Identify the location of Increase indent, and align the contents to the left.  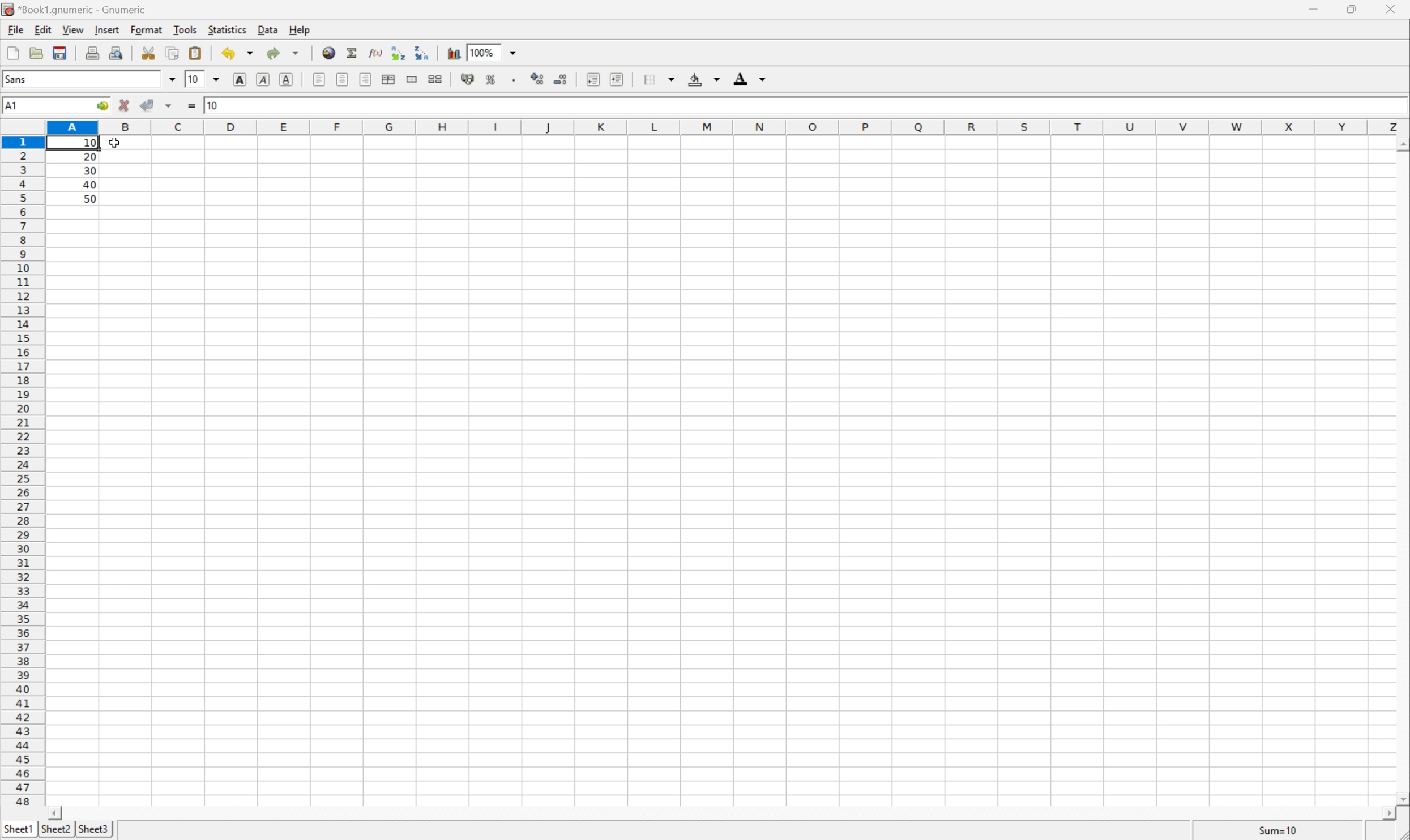
(617, 79).